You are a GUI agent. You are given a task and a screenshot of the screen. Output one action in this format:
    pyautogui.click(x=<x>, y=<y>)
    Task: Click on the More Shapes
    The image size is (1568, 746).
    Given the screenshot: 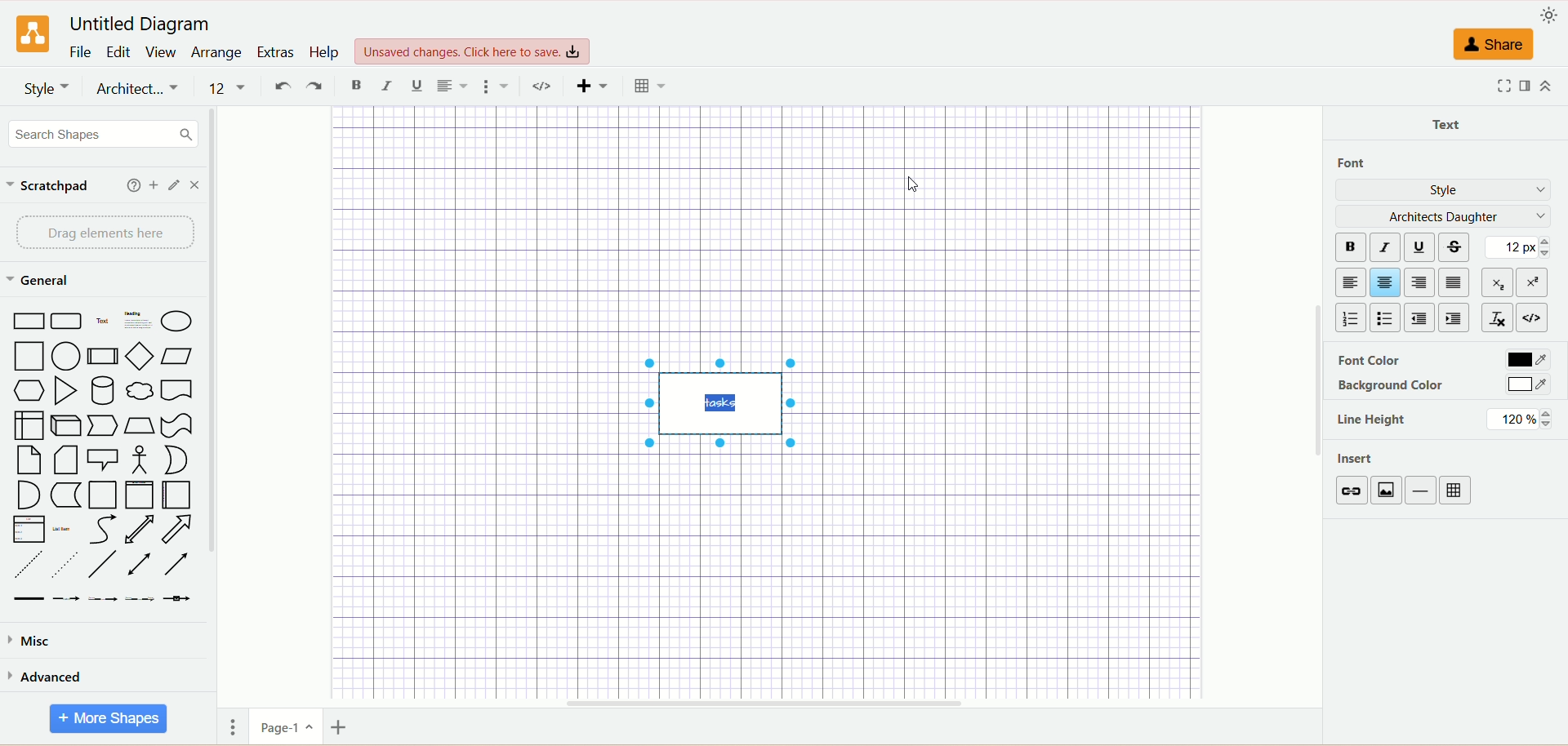 What is the action you would take?
    pyautogui.click(x=105, y=717)
    